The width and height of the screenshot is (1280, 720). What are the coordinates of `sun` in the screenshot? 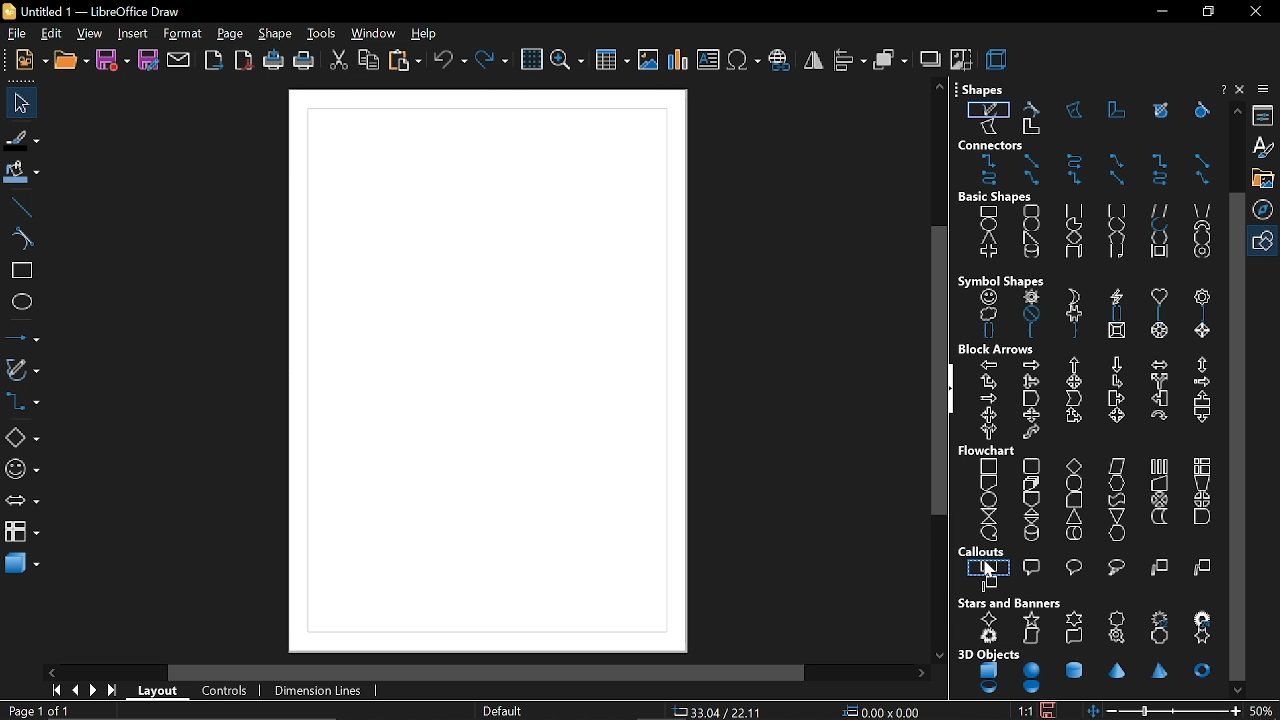 It's located at (1032, 297).